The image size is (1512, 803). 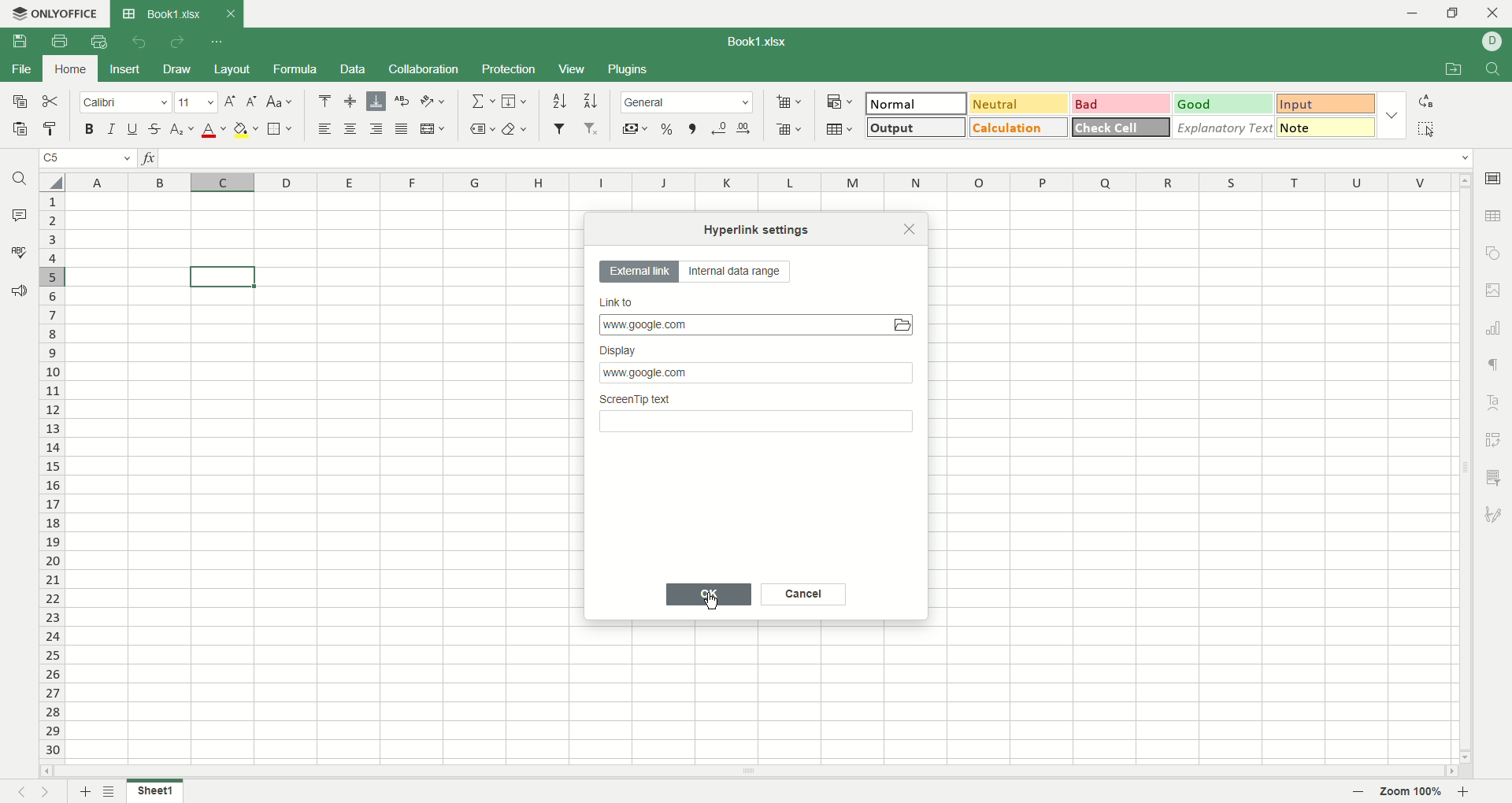 What do you see at coordinates (115, 792) in the screenshot?
I see `sheet list` at bounding box center [115, 792].